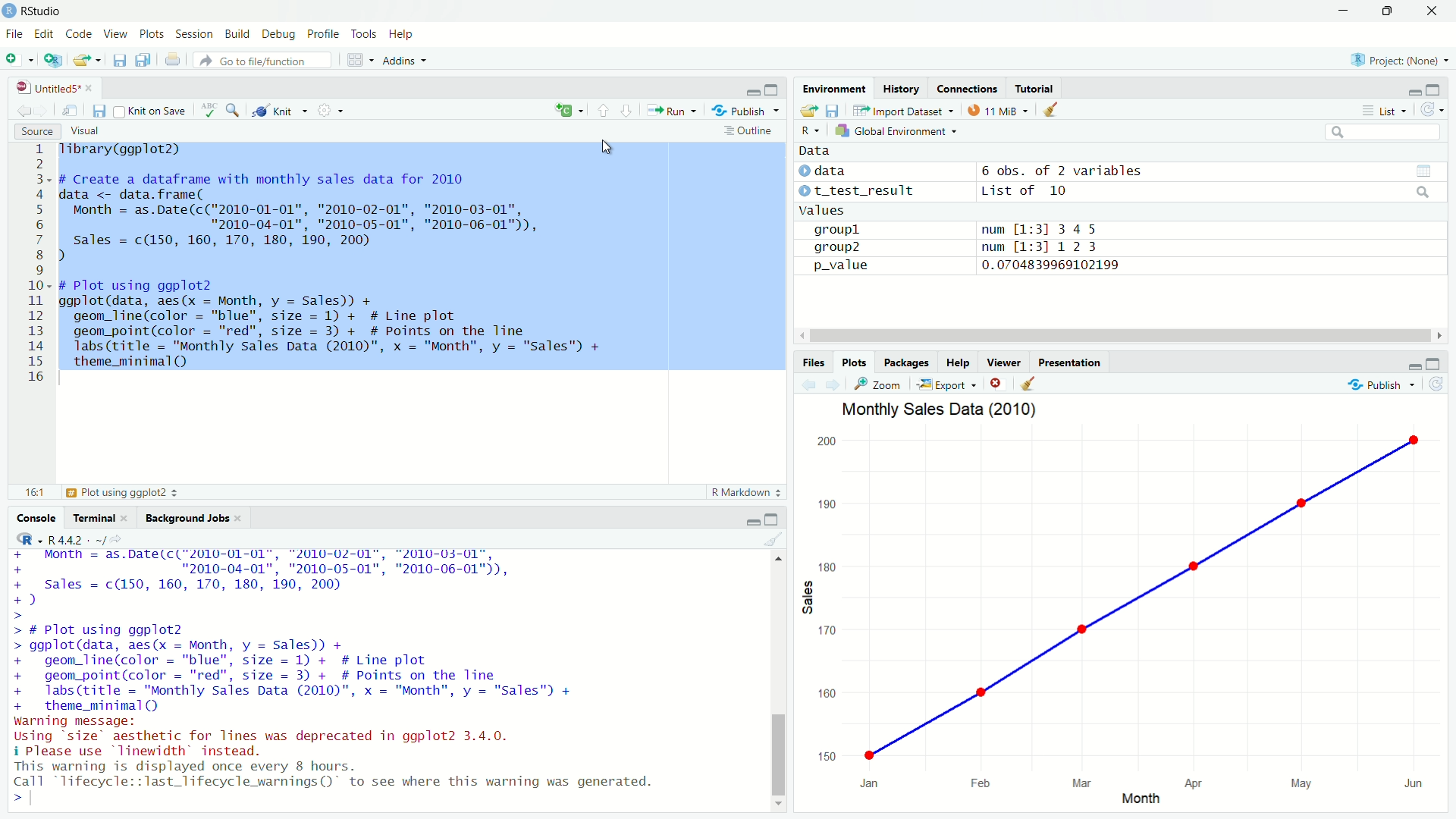  What do you see at coordinates (1036, 382) in the screenshot?
I see `clear workspace` at bounding box center [1036, 382].